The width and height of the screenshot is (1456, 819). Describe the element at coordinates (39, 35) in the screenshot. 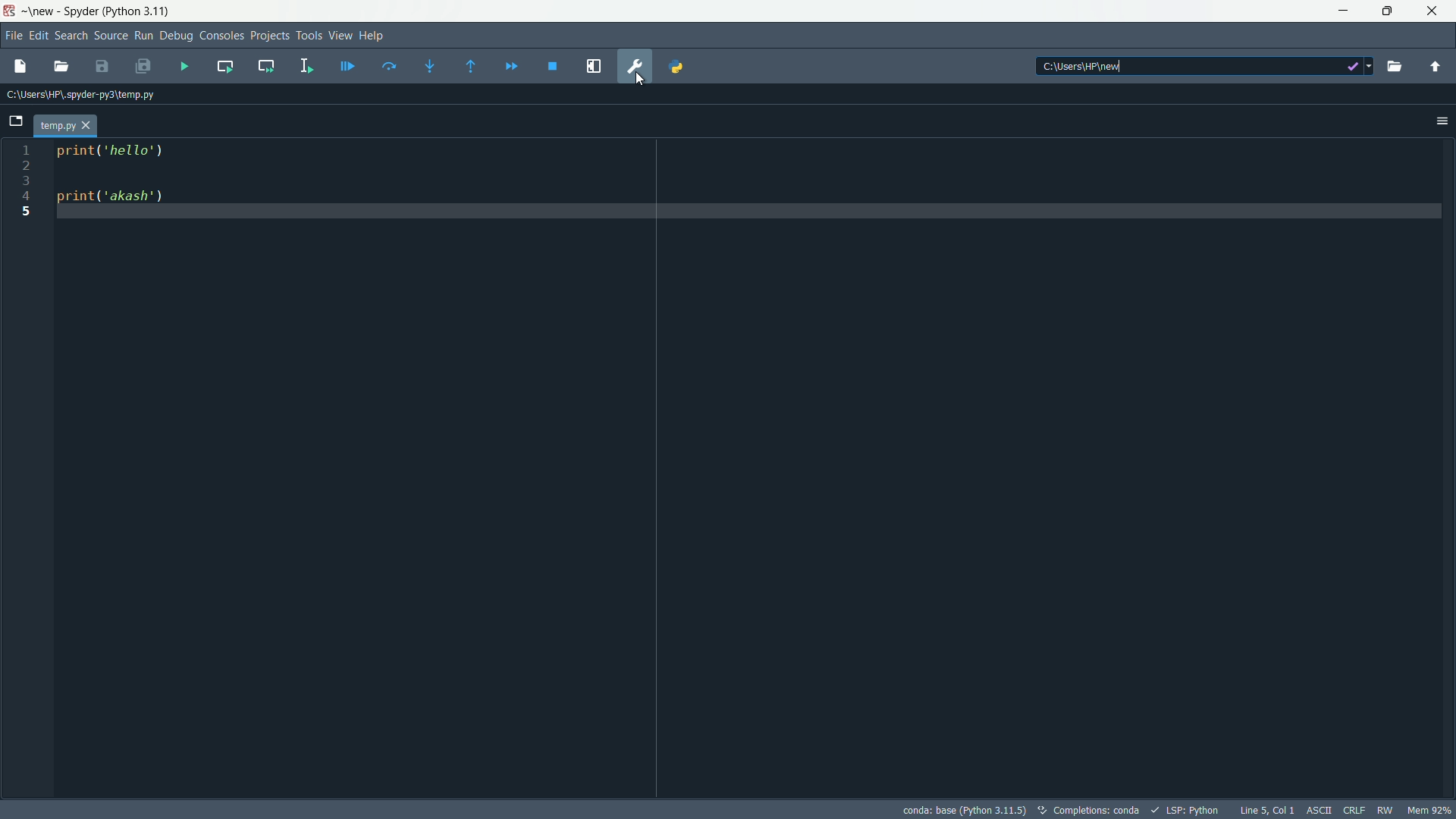

I see `edit menu` at that location.